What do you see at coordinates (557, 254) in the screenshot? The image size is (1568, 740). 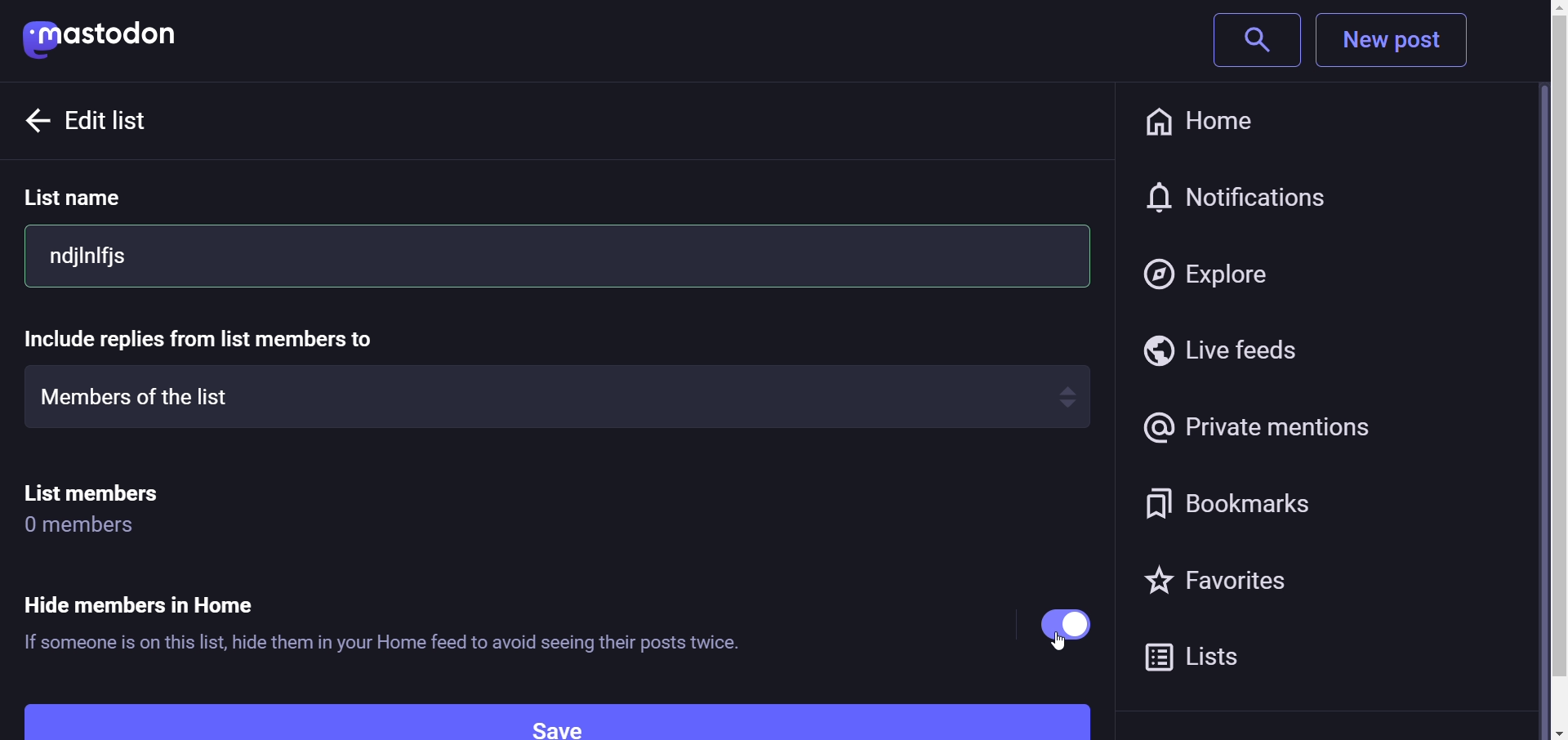 I see `ndjlnifjs` at bounding box center [557, 254].